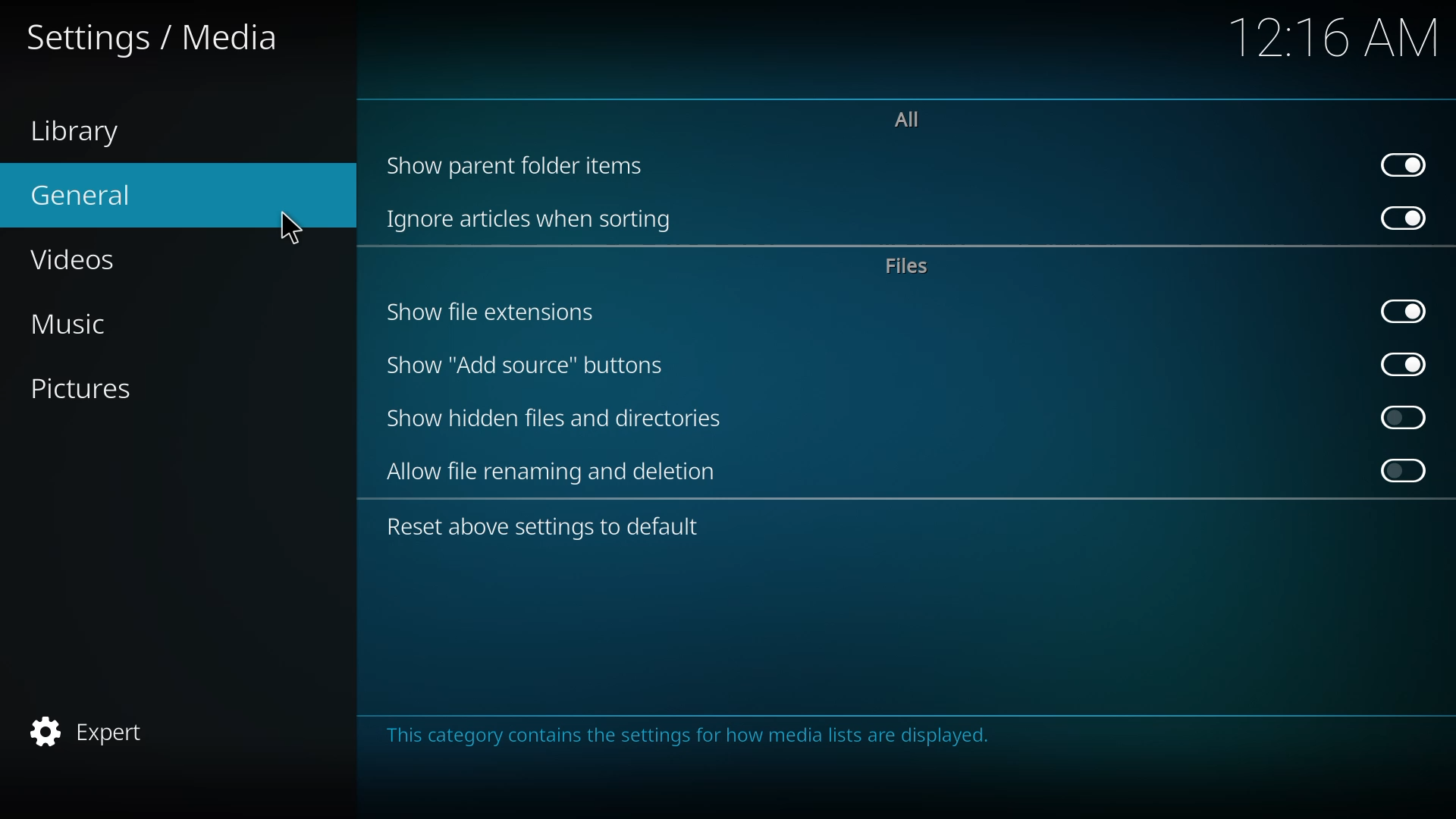  Describe the element at coordinates (278, 229) in the screenshot. I see `cursor` at that location.